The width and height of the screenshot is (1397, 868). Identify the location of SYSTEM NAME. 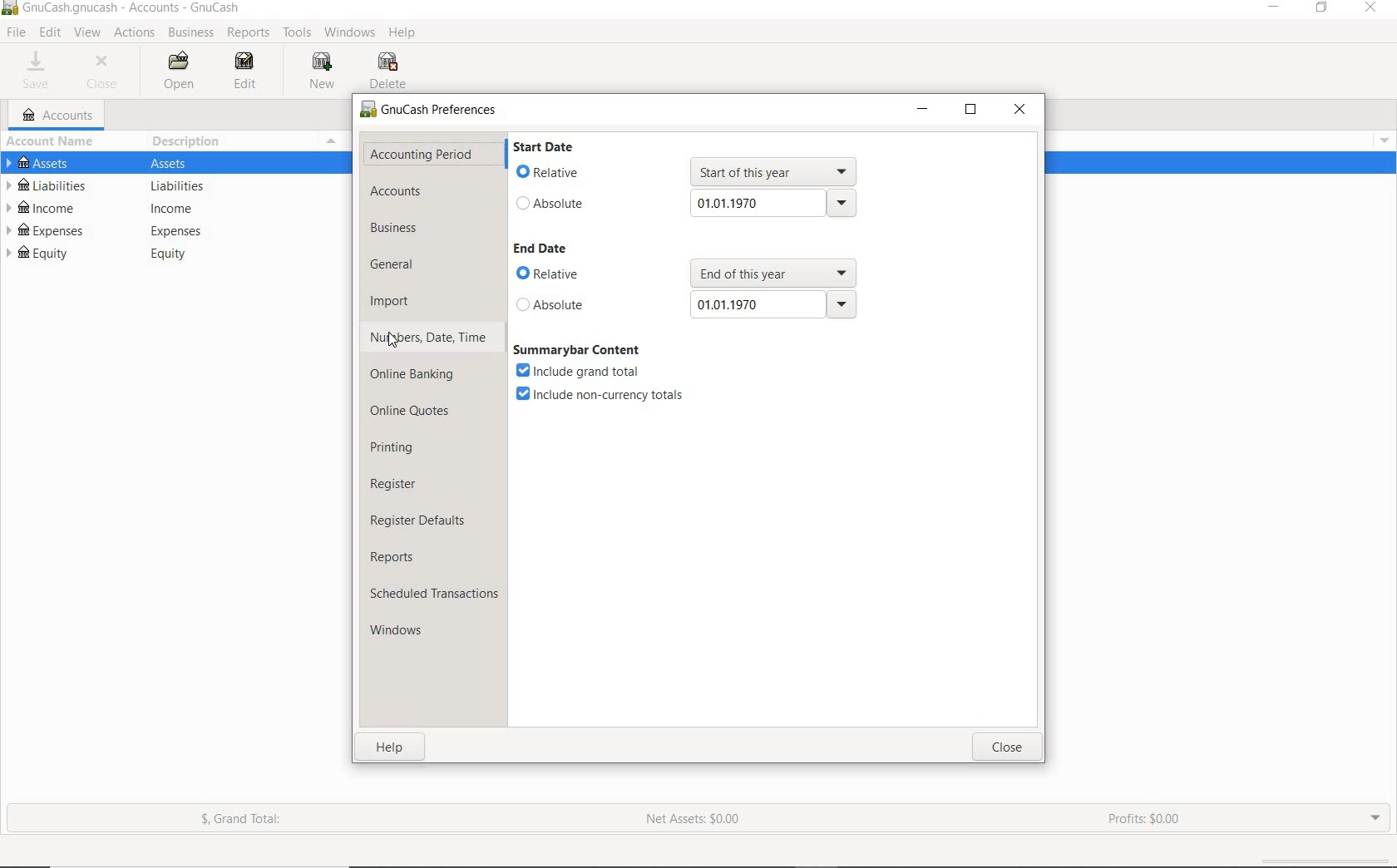
(9, 9).